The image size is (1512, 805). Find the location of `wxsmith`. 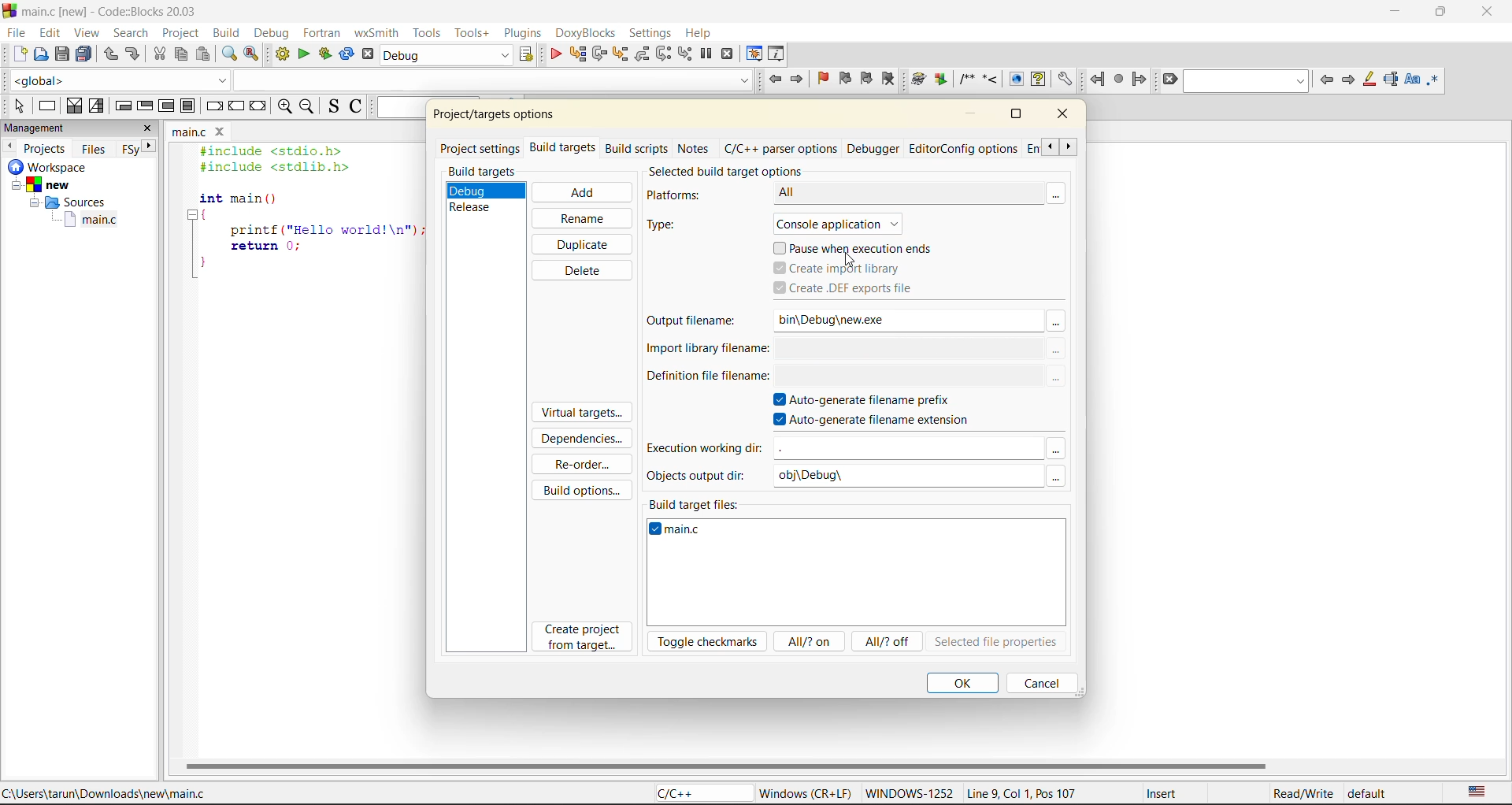

wxsmith is located at coordinates (374, 35).